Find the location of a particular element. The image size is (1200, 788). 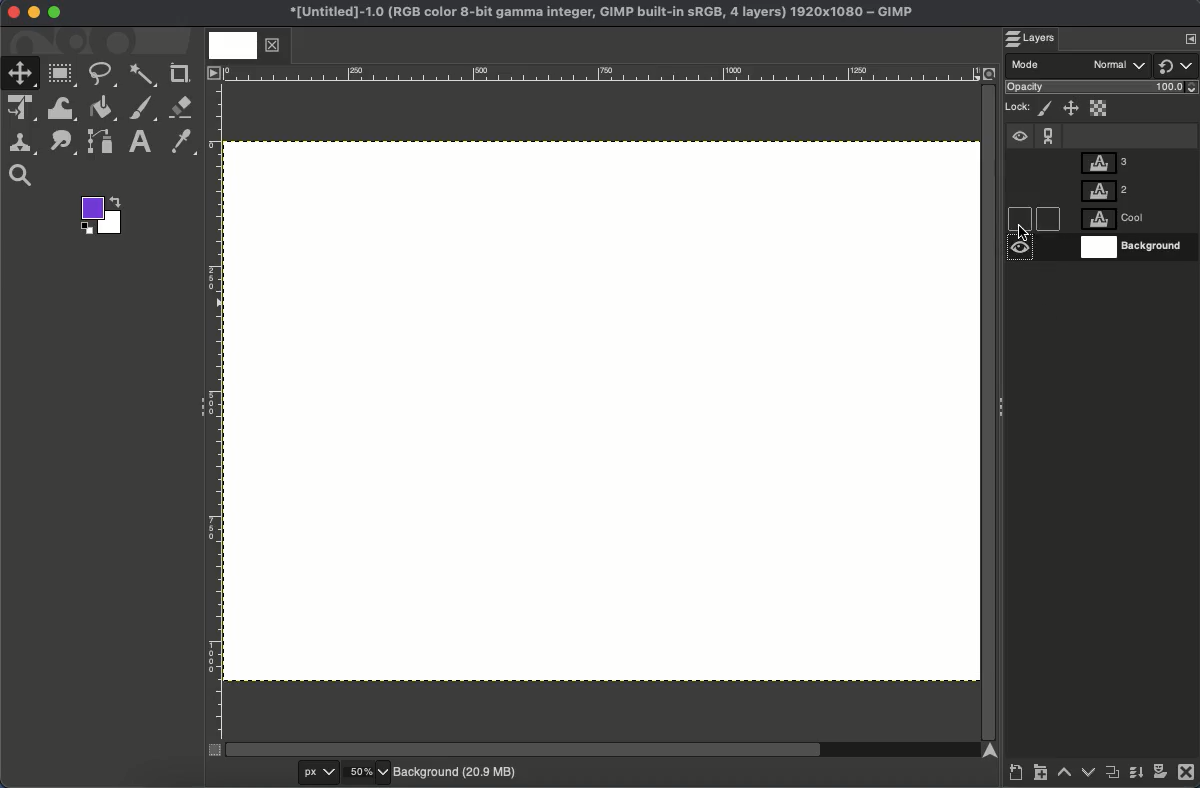

Lower layer is located at coordinates (1087, 775).